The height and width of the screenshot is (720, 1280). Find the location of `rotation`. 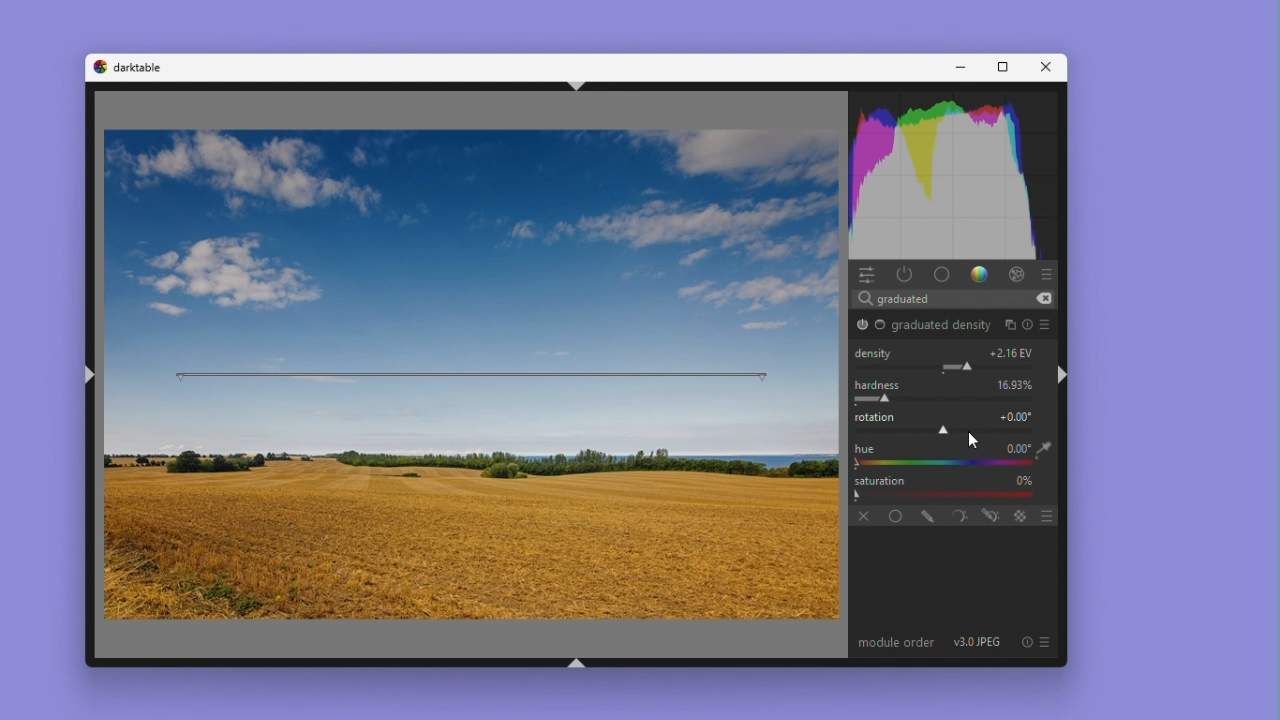

rotation is located at coordinates (877, 417).